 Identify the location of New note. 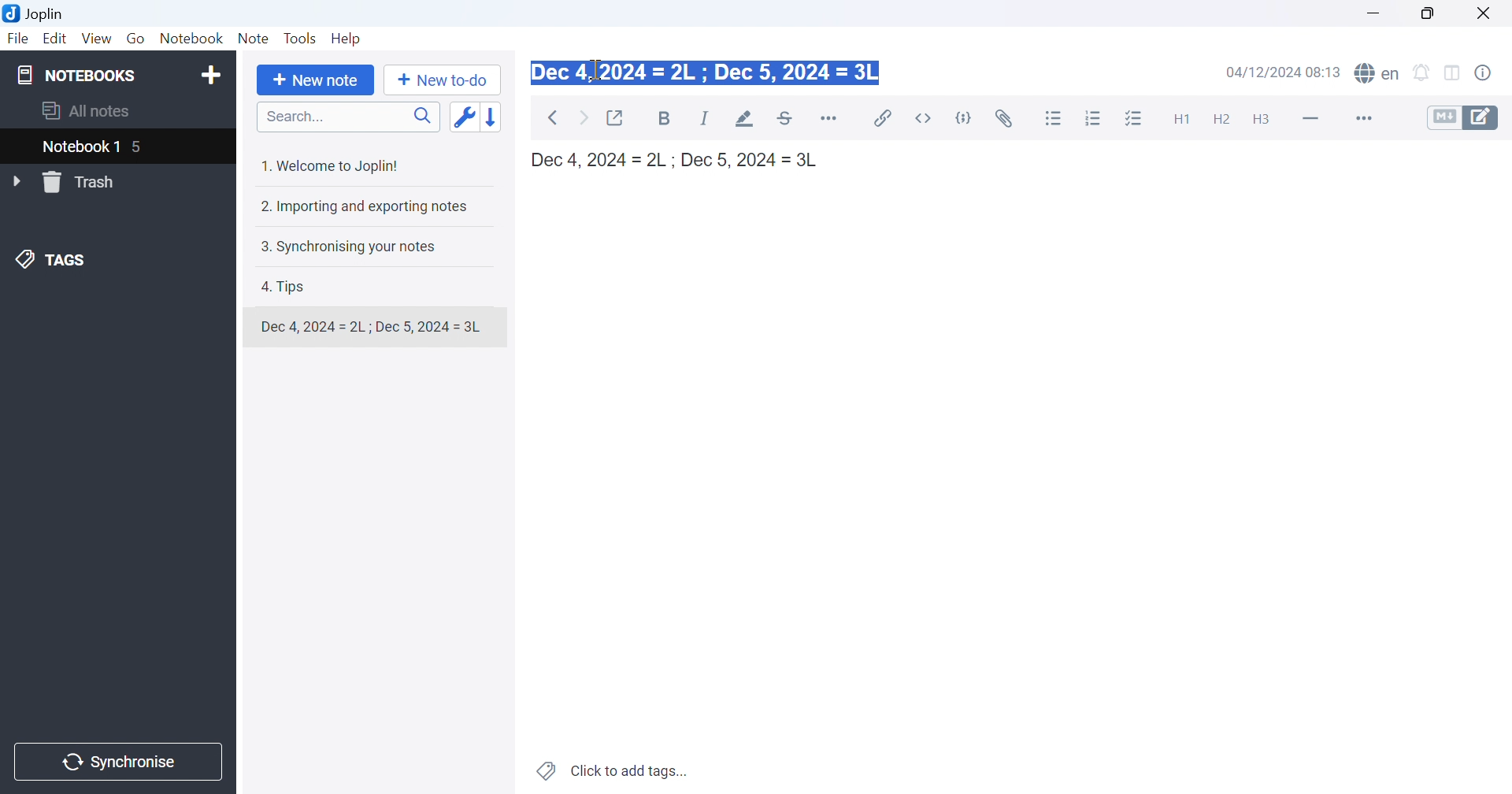
(315, 81).